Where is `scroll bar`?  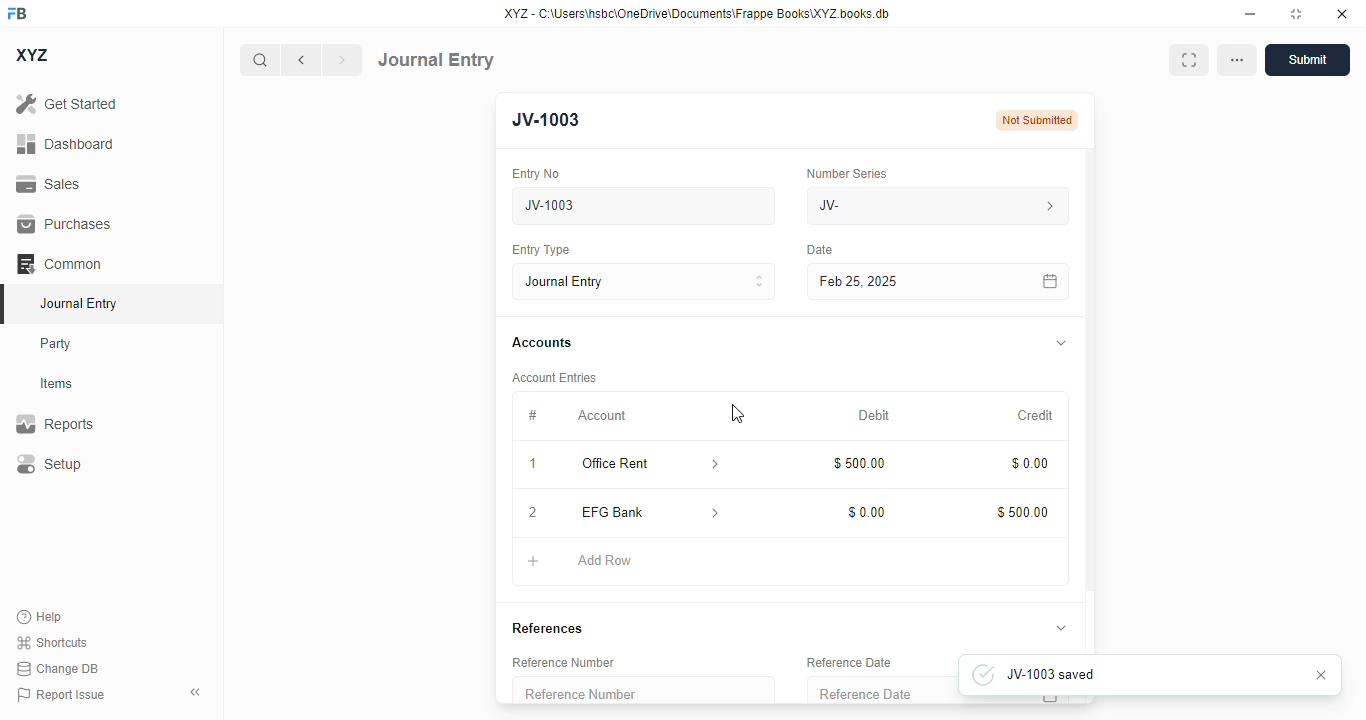
scroll bar is located at coordinates (1092, 400).